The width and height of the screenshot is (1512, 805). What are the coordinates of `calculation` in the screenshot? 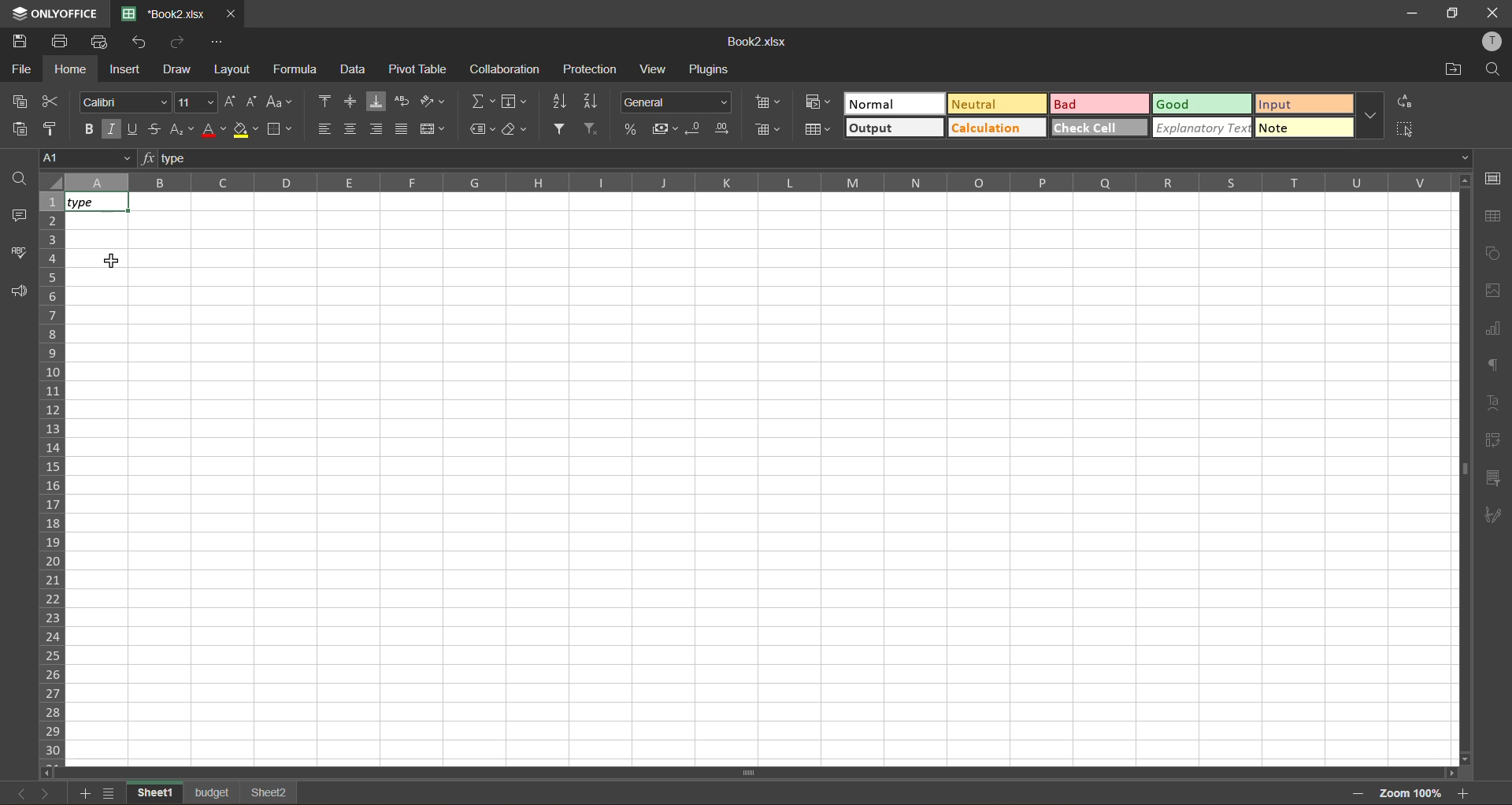 It's located at (995, 127).